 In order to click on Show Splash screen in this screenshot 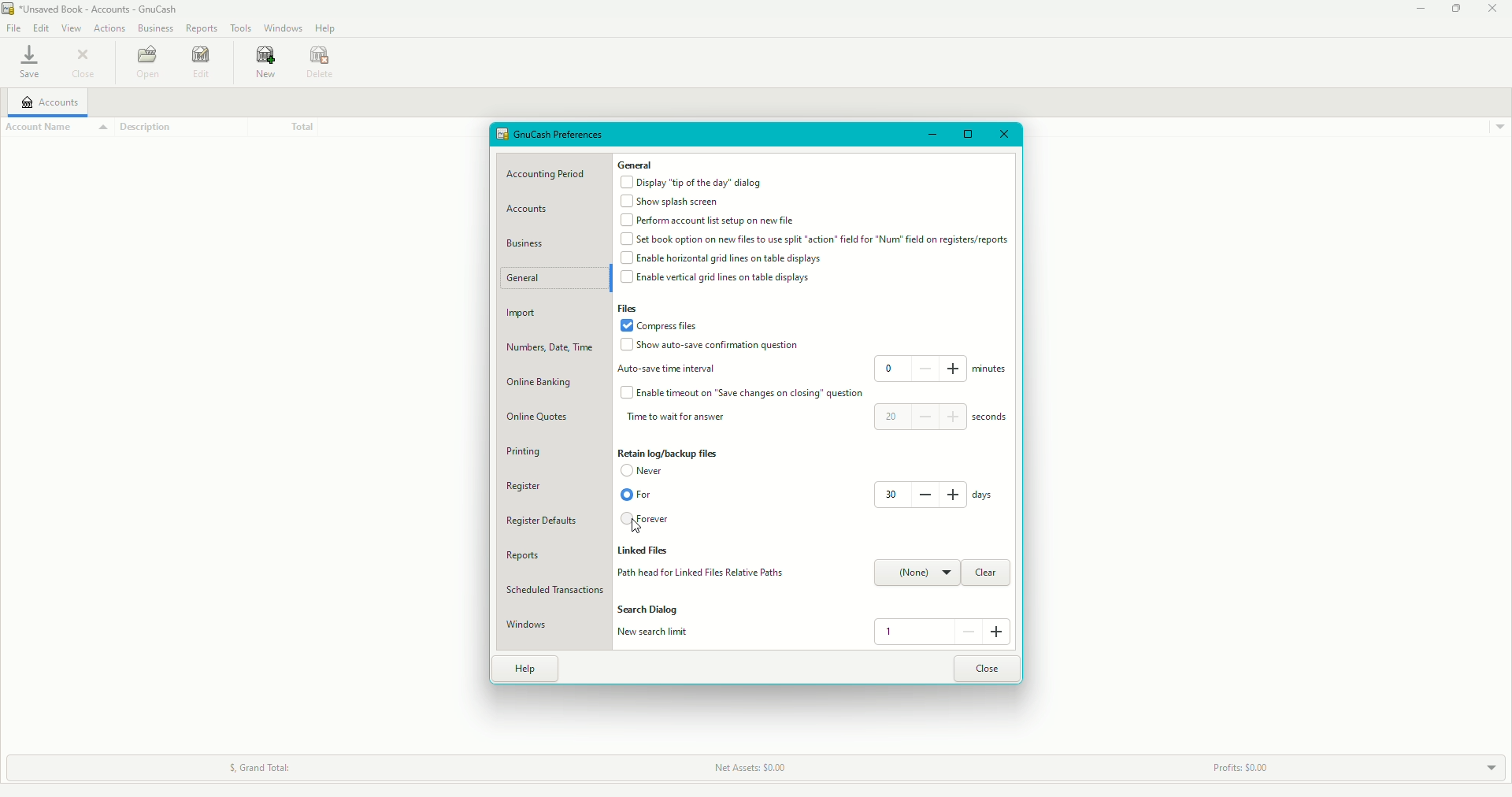, I will do `click(673, 202)`.